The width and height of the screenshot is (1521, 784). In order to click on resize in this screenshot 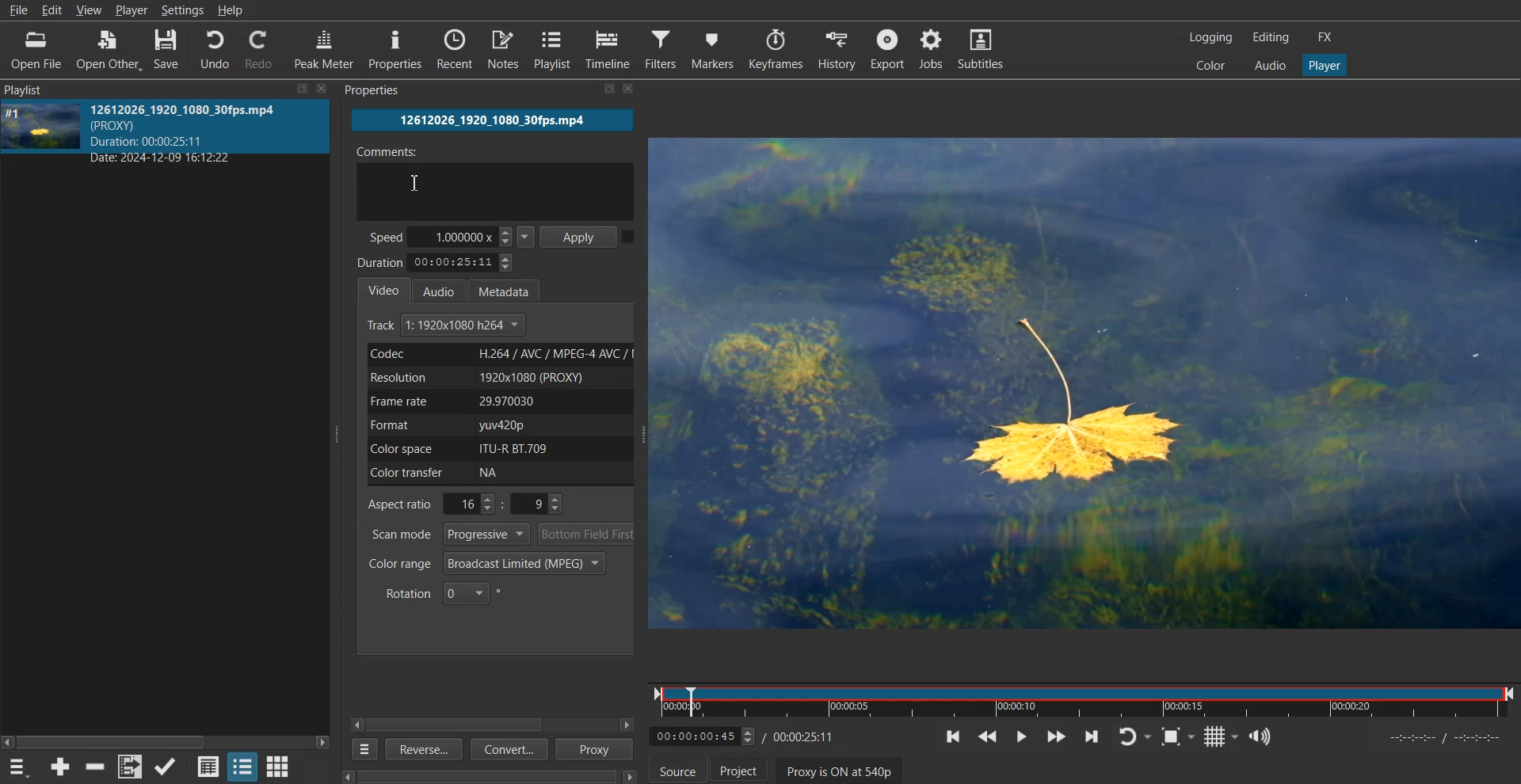, I will do `click(598, 91)`.